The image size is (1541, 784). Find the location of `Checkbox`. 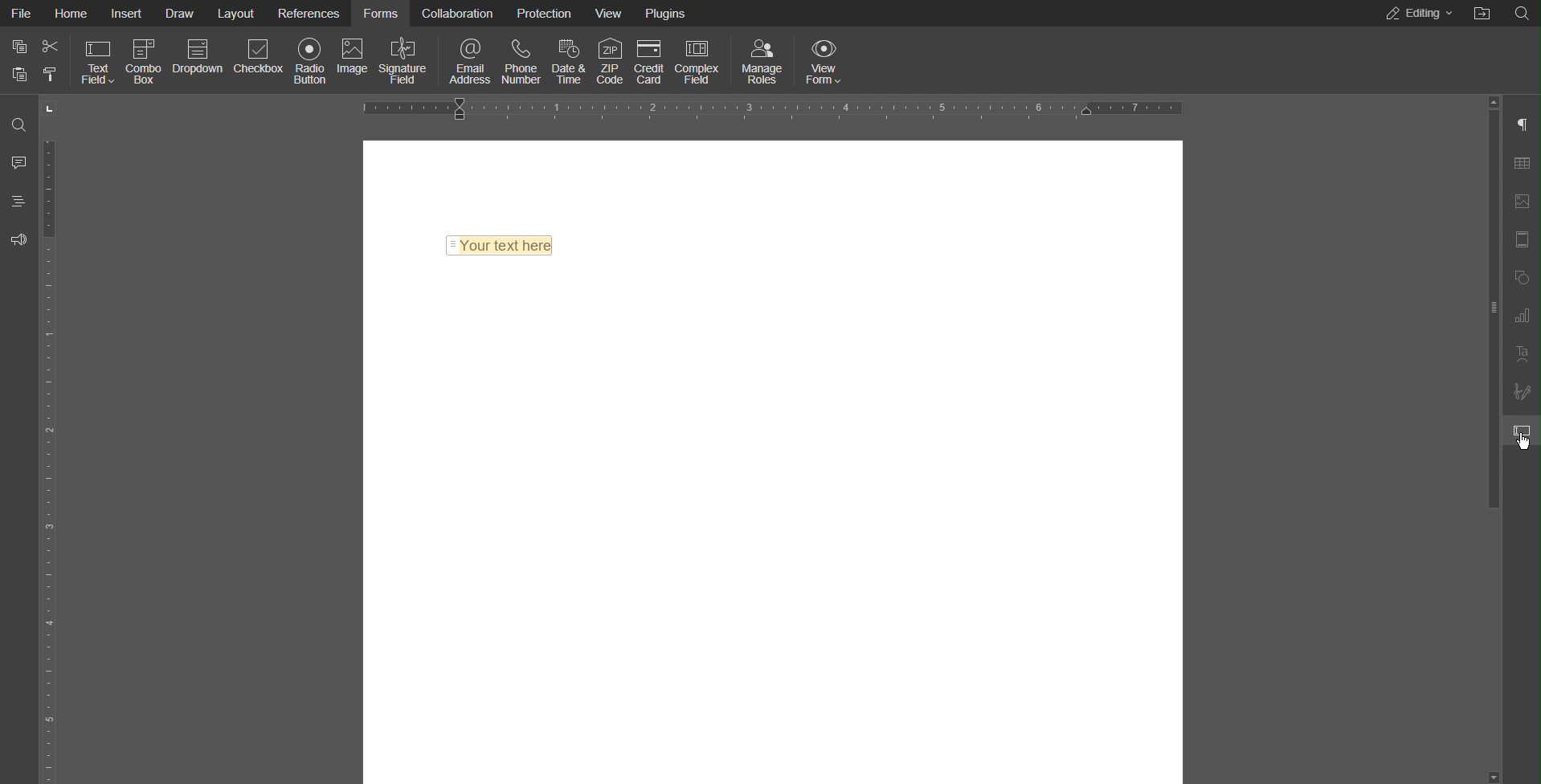

Checkbox is located at coordinates (260, 61).